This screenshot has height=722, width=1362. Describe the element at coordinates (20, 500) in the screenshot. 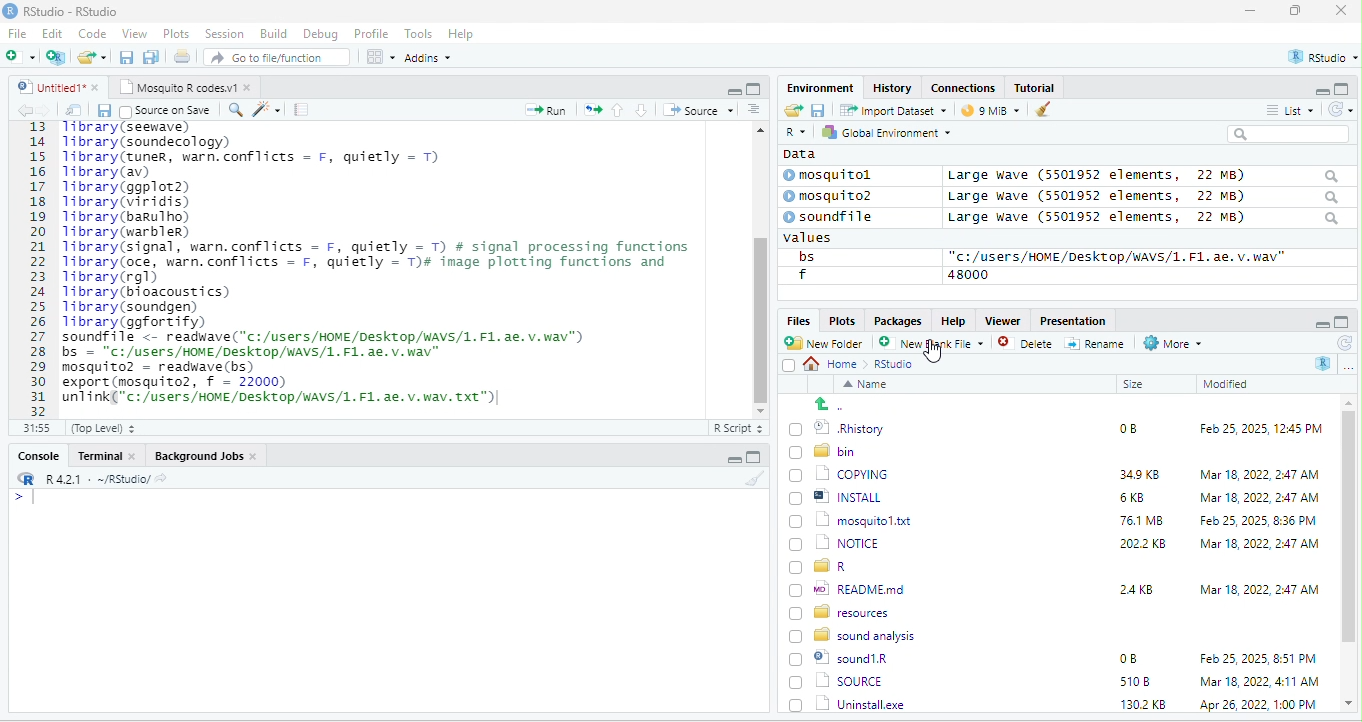

I see `syntax` at that location.